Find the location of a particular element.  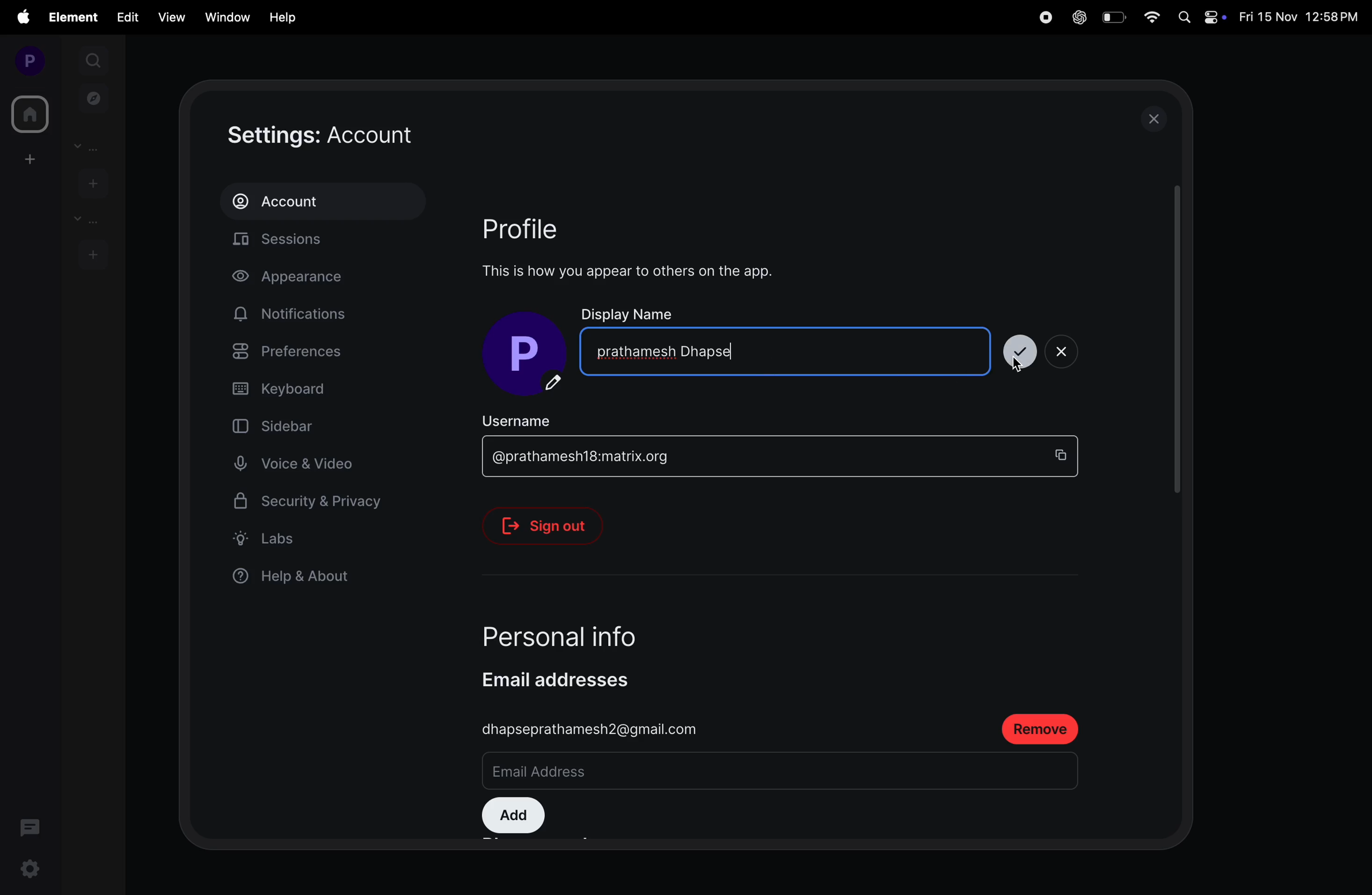

expand is located at coordinates (61, 61).